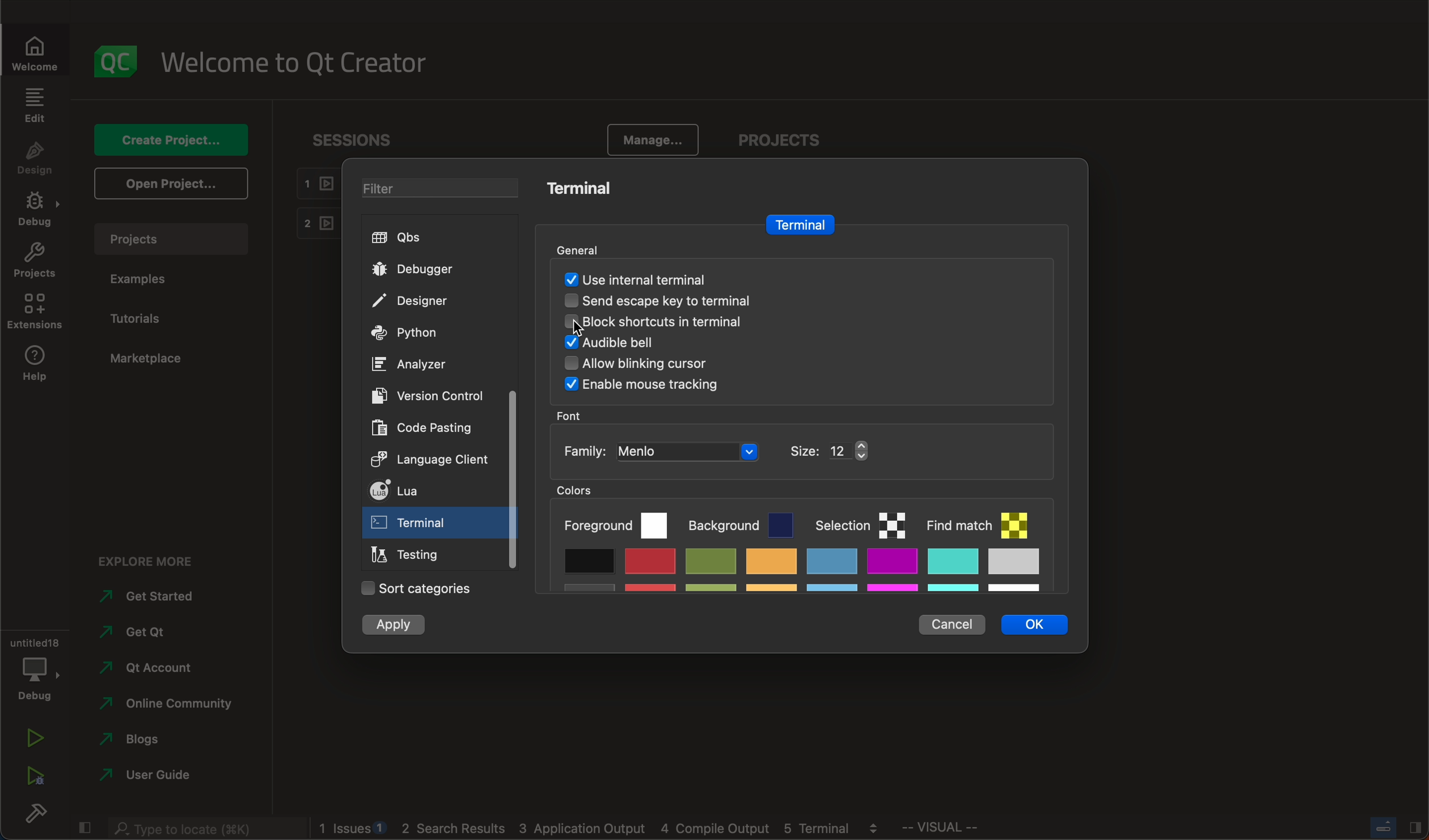 The width and height of the screenshot is (1429, 840). What do you see at coordinates (700, 324) in the screenshot?
I see `block shortcuts` at bounding box center [700, 324].